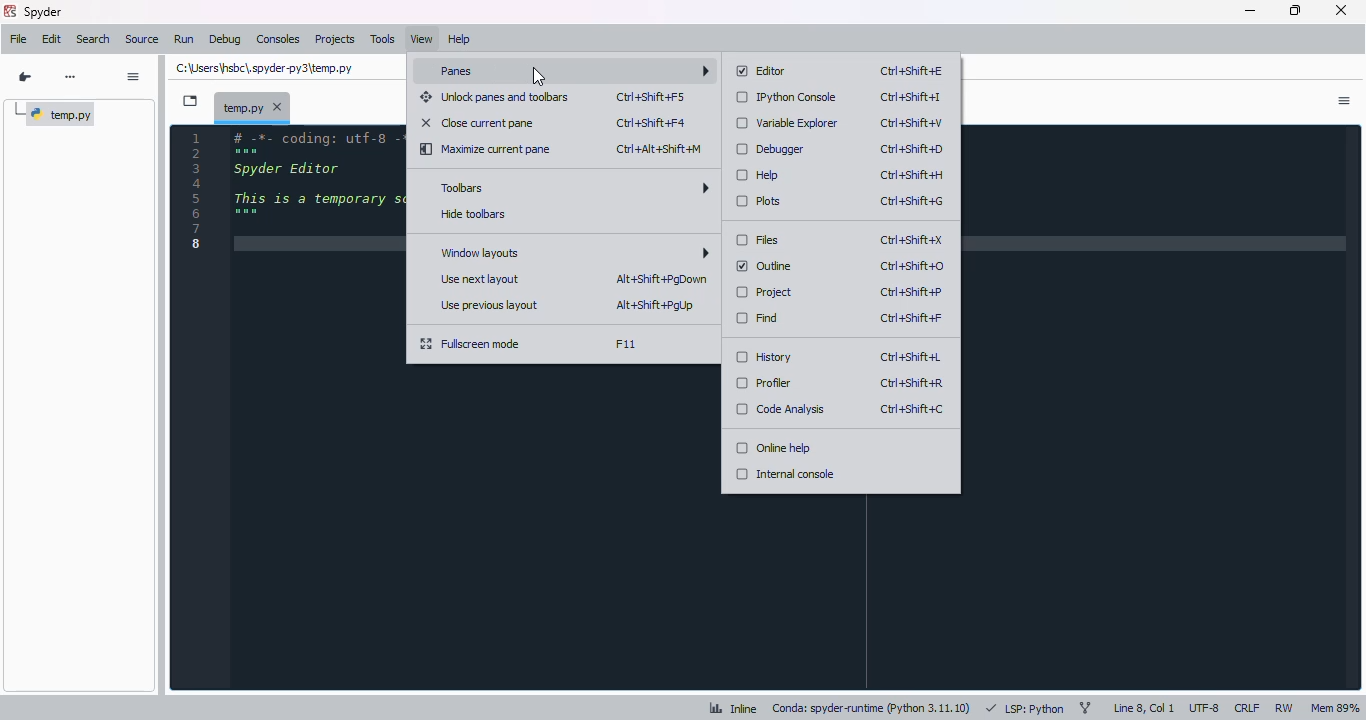 This screenshot has width=1366, height=720. Describe the element at coordinates (1345, 101) in the screenshot. I see `options` at that location.